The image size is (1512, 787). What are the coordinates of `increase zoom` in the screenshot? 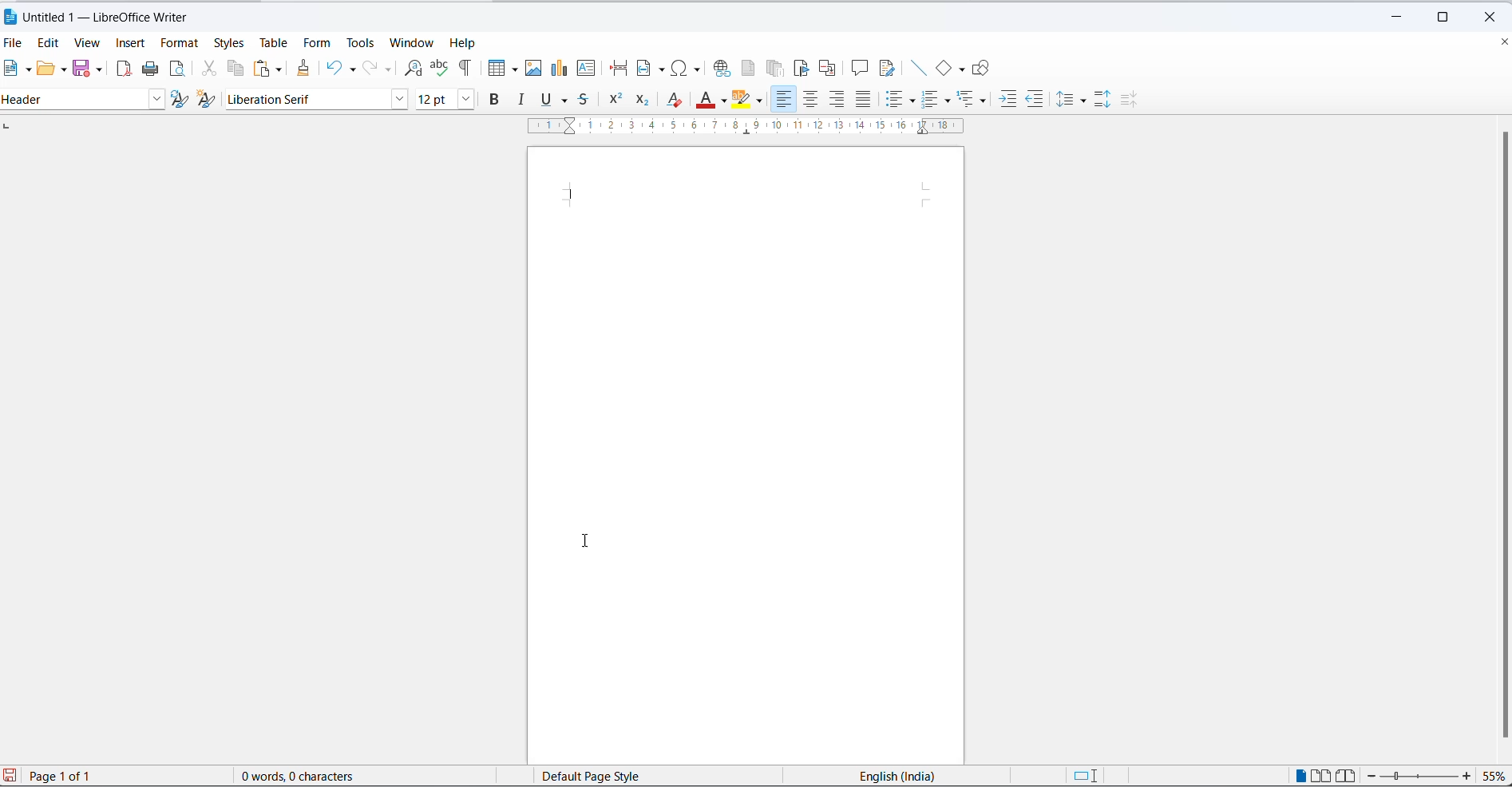 It's located at (1467, 777).